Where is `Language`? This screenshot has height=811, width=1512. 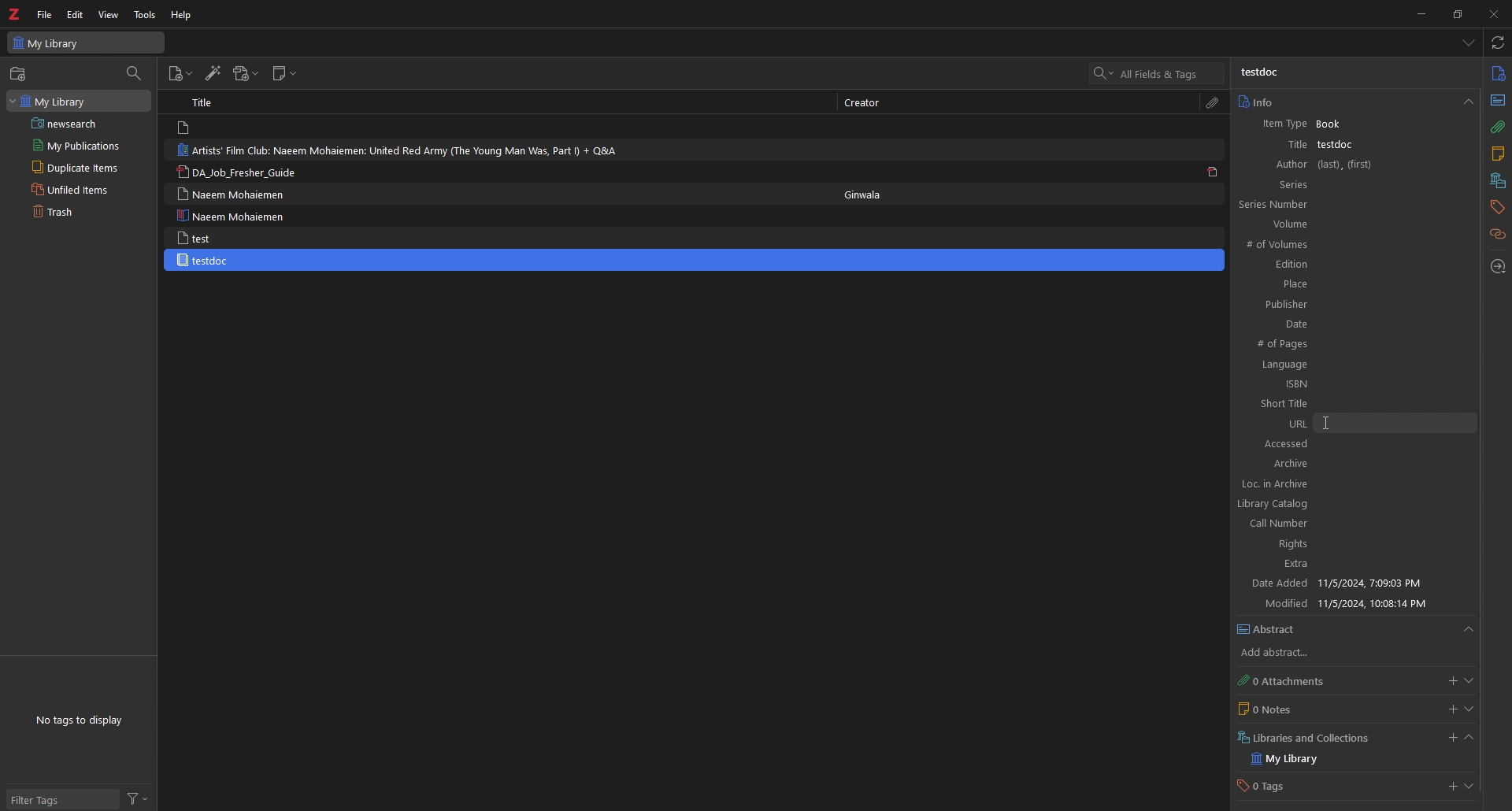 Language is located at coordinates (1336, 365).